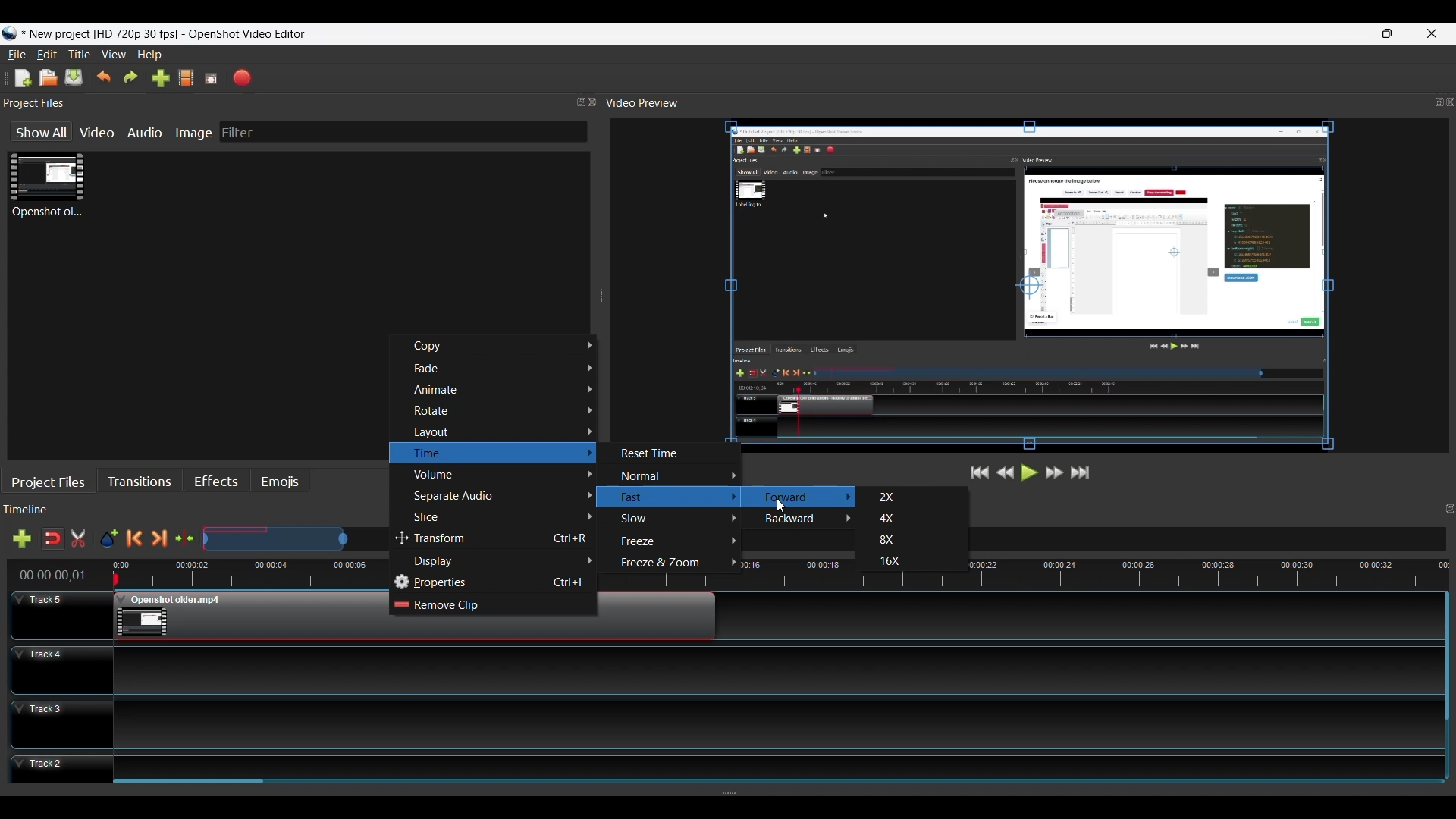 This screenshot has width=1456, height=819. Describe the element at coordinates (98, 133) in the screenshot. I see `Video` at that location.